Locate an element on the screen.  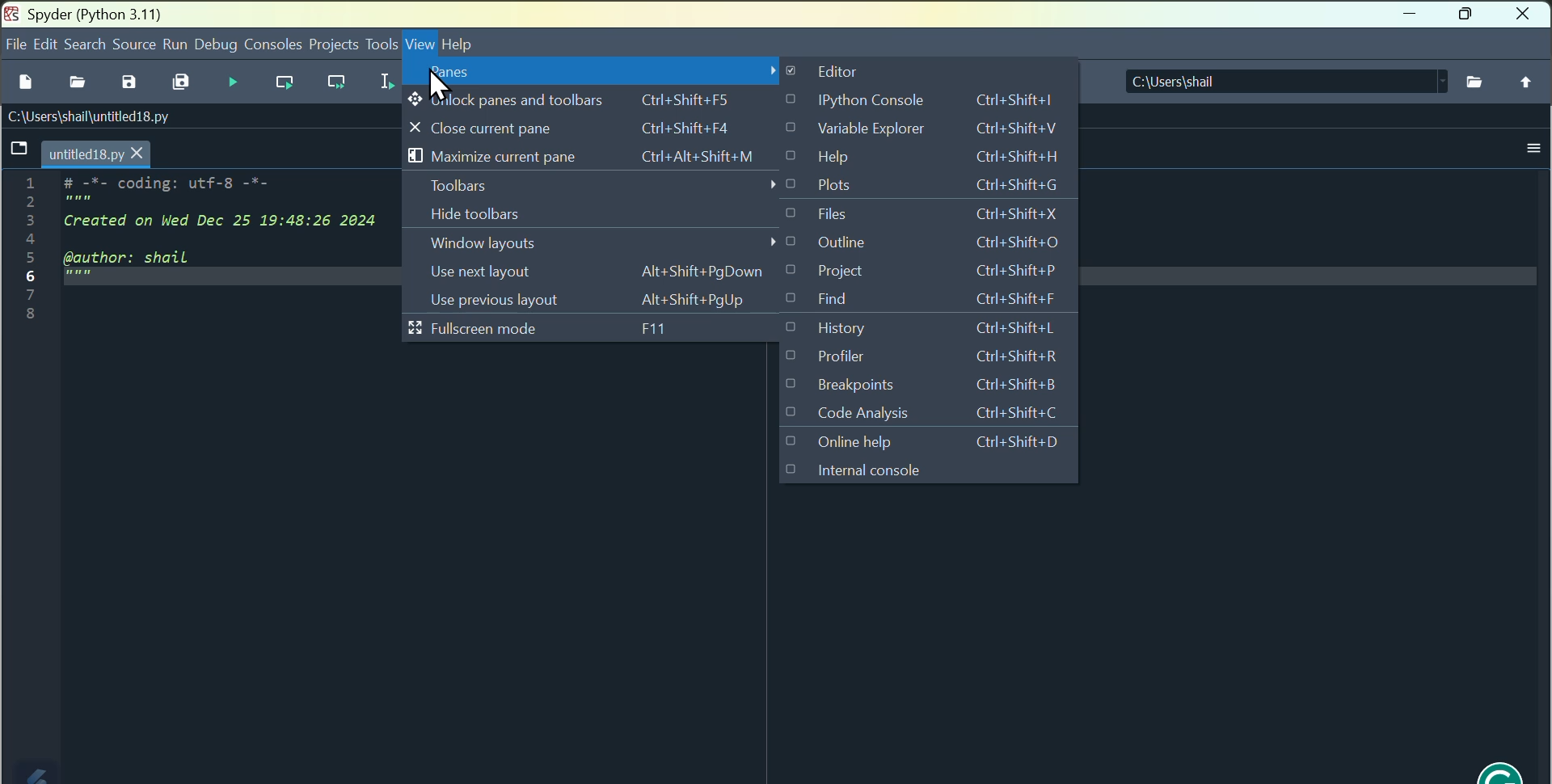
Full screen mode is located at coordinates (600, 331).